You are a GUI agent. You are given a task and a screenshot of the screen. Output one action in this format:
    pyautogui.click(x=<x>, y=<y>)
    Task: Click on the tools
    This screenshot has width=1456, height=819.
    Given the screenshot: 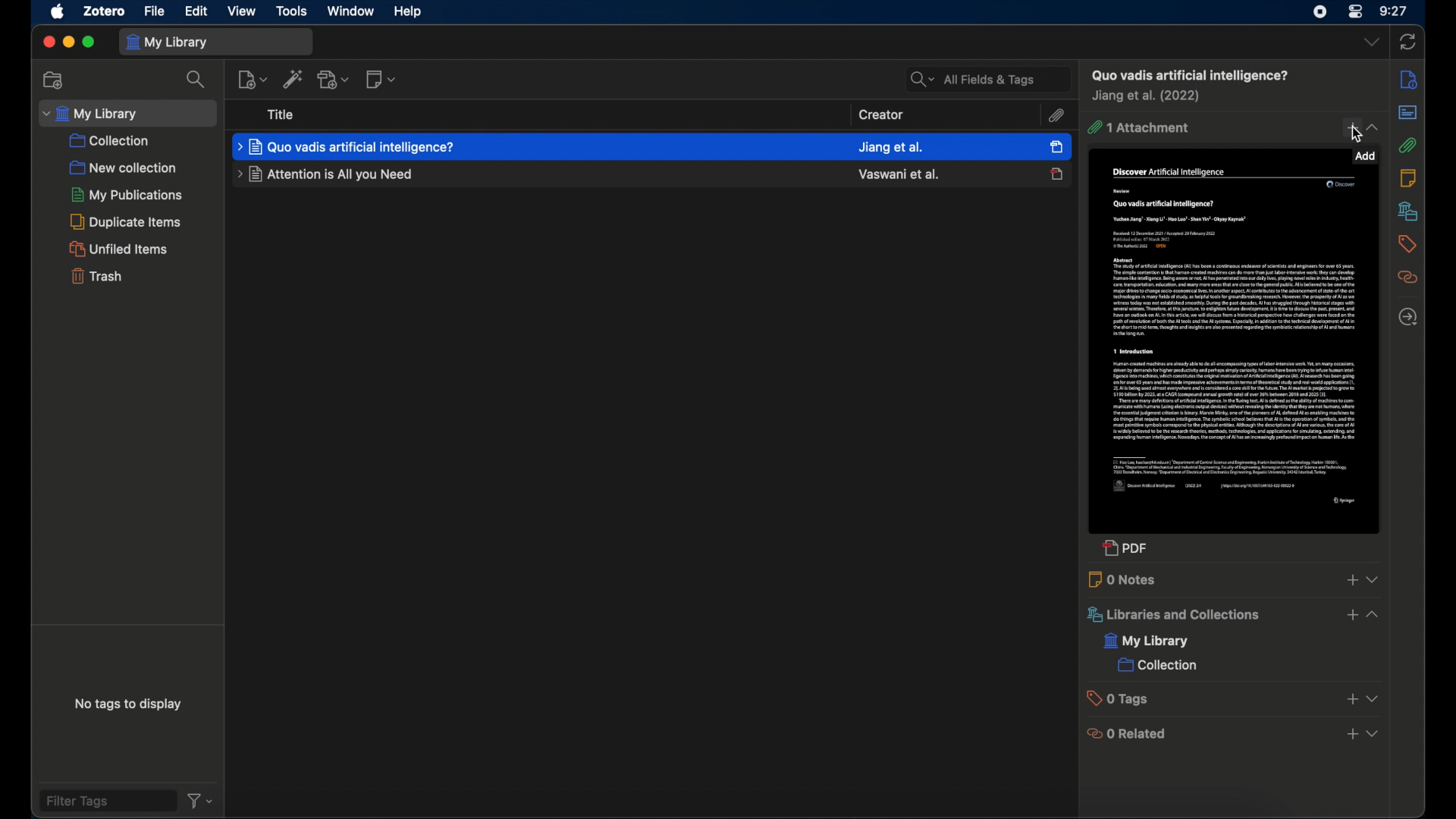 What is the action you would take?
    pyautogui.click(x=293, y=11)
    